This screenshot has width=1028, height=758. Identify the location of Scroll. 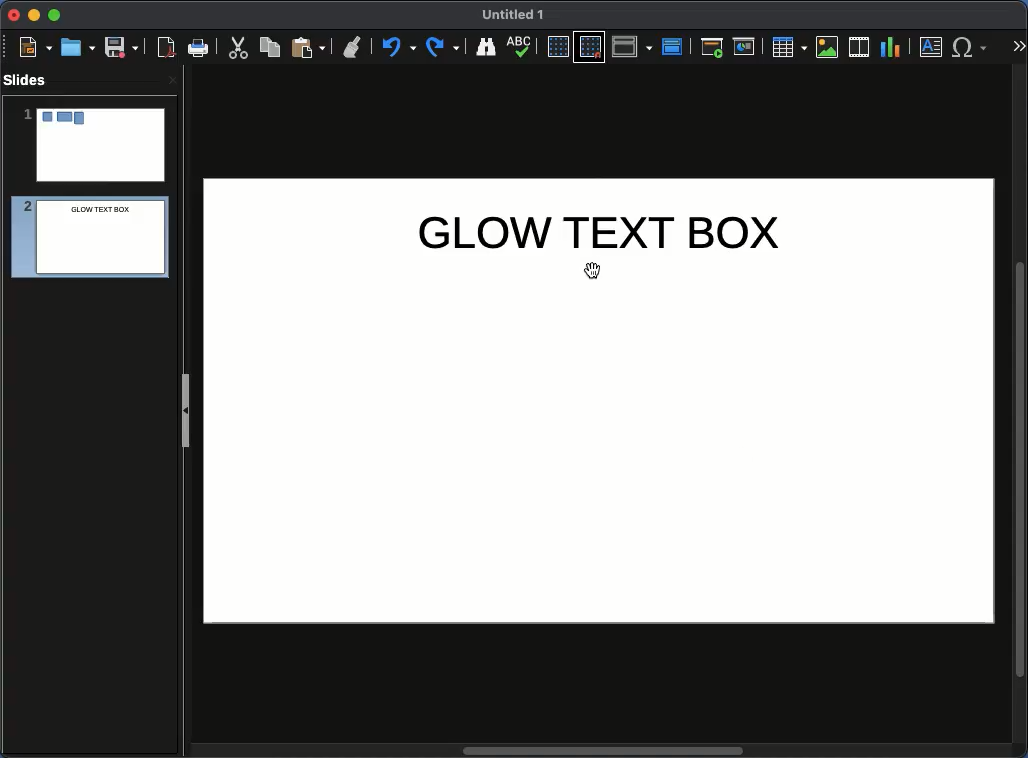
(599, 752).